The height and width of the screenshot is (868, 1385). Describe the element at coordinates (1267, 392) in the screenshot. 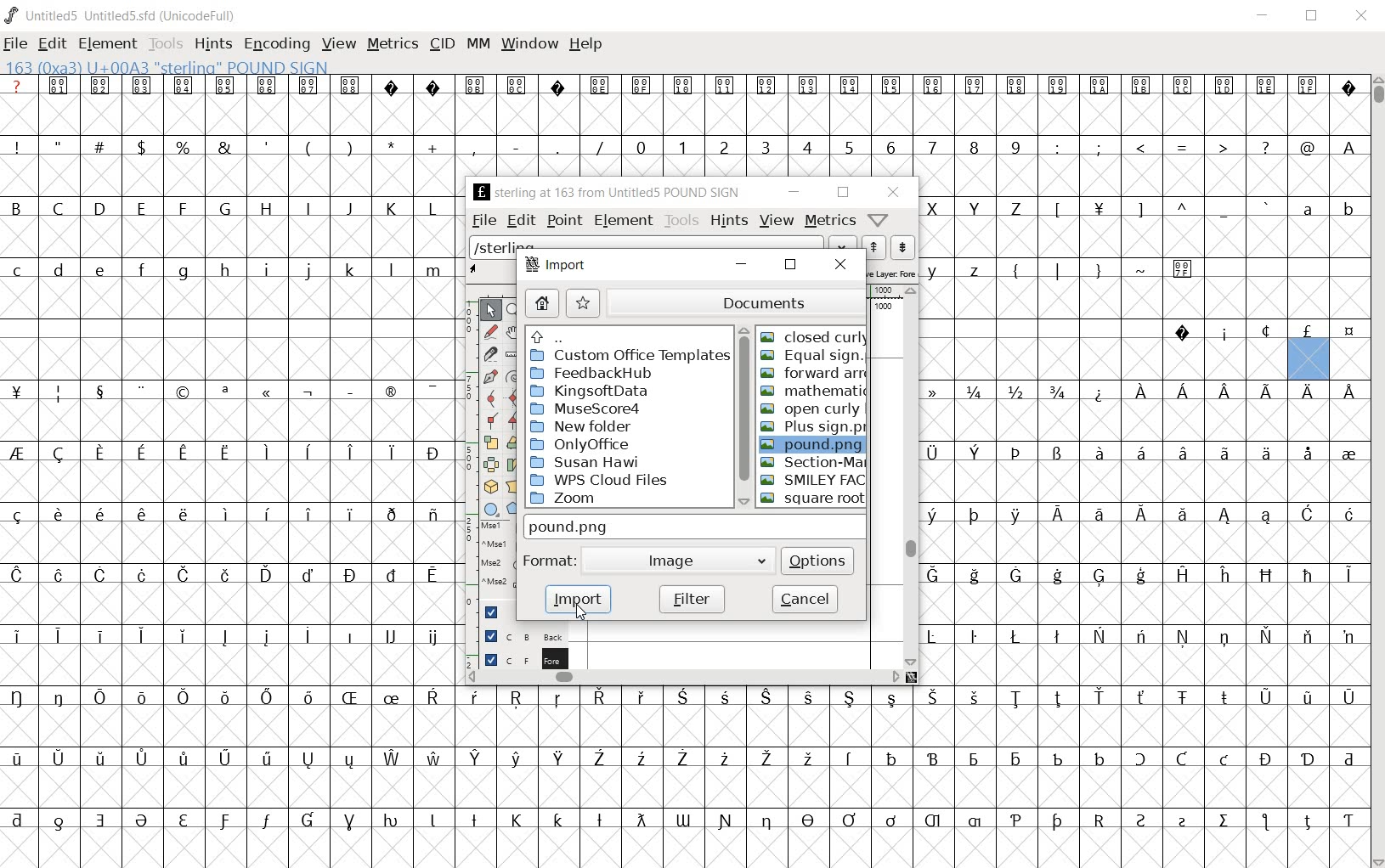

I see `Symbol` at that location.